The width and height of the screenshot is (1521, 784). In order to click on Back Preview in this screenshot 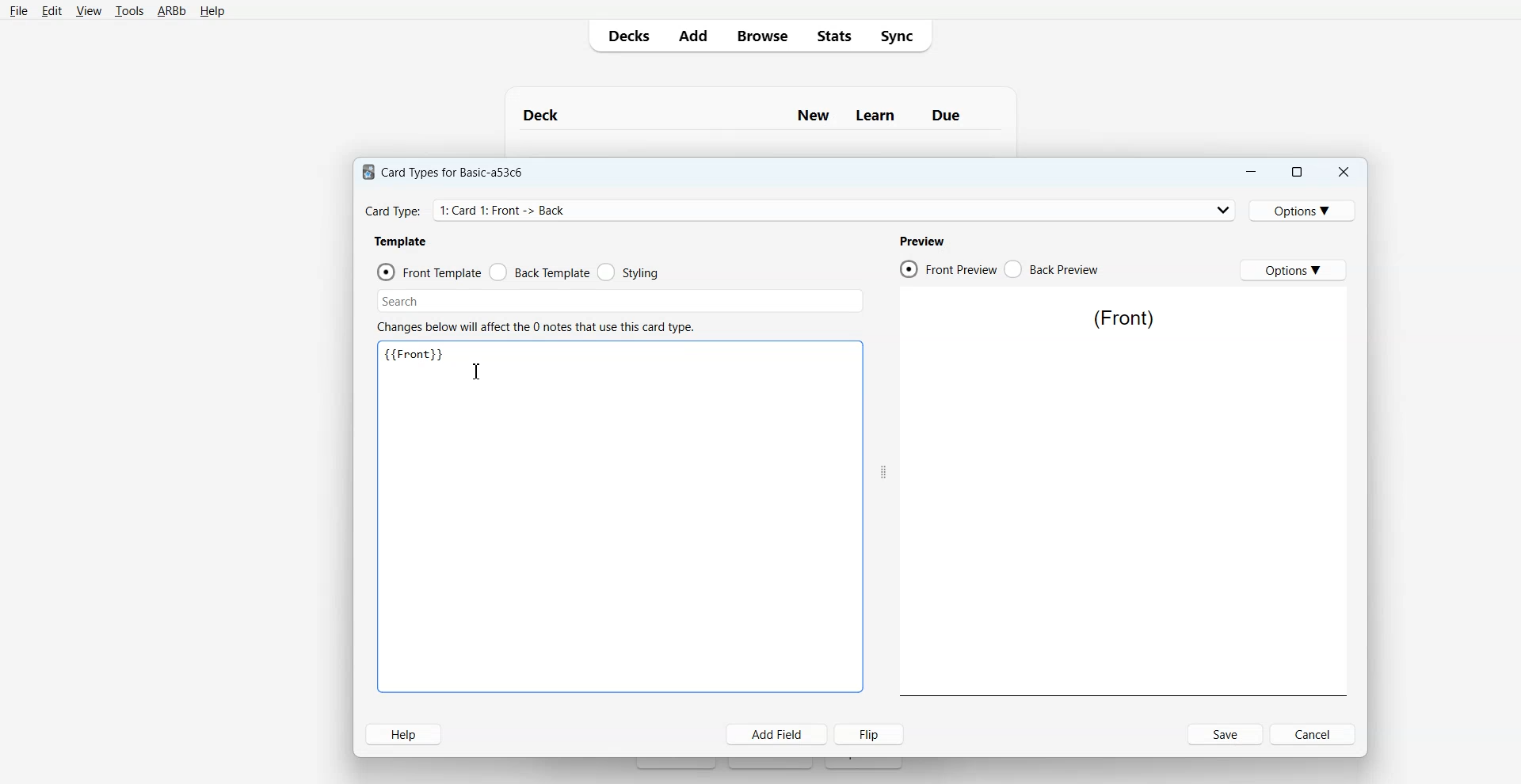, I will do `click(1052, 269)`.